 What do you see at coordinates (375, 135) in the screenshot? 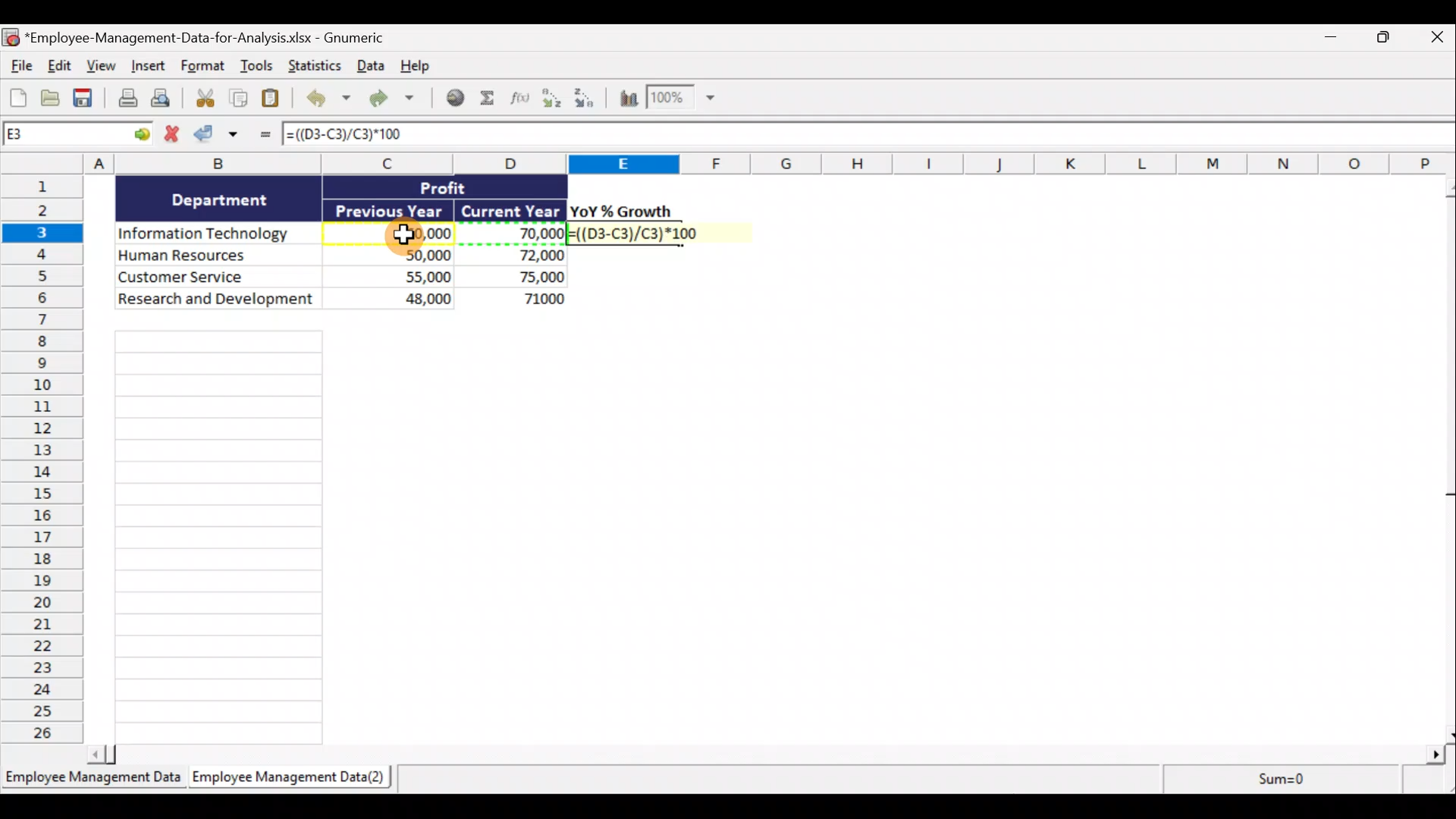
I see `=((D3-C3)/C3)*100` at bounding box center [375, 135].